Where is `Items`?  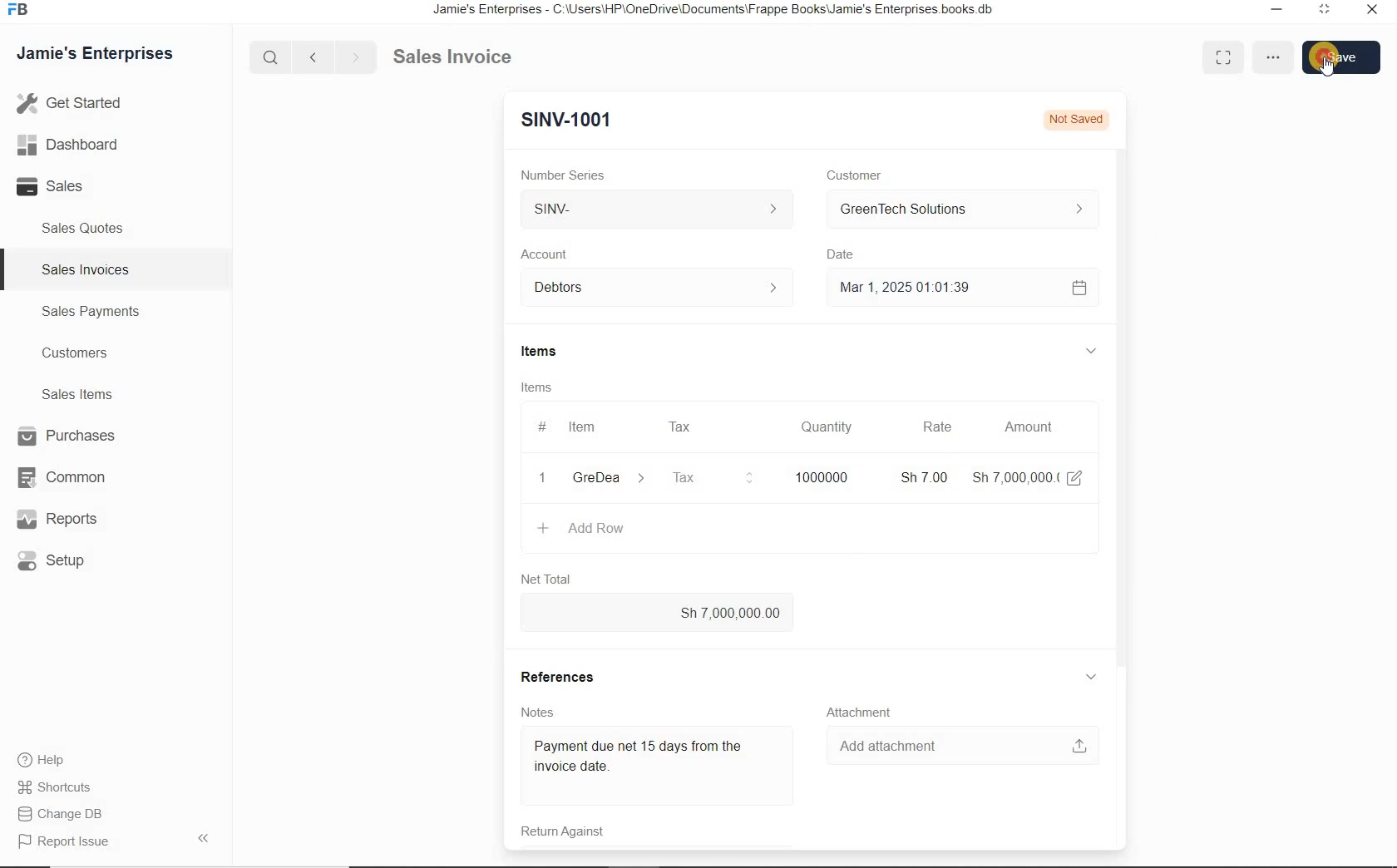
Items is located at coordinates (535, 353).